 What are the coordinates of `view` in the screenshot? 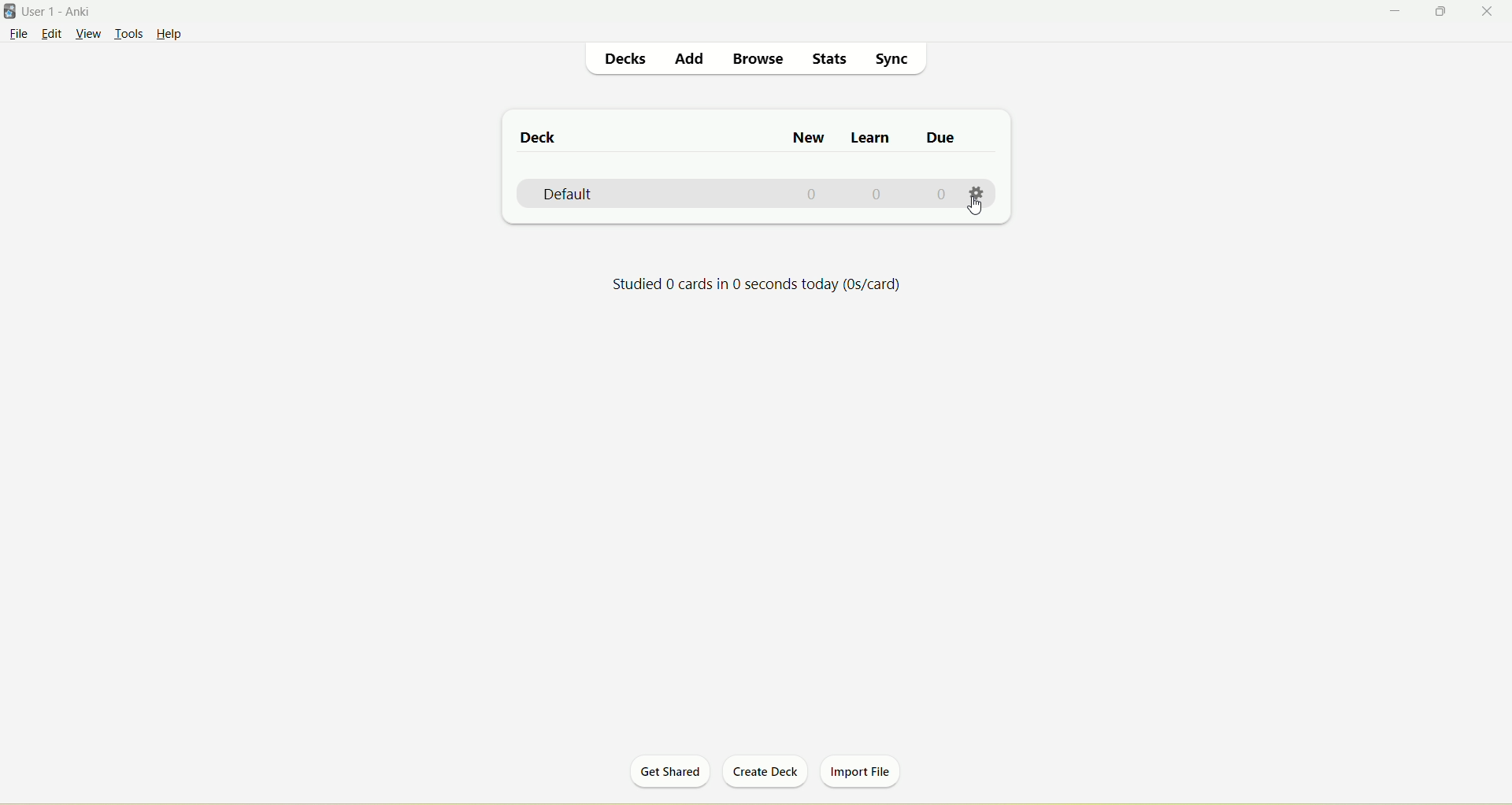 It's located at (88, 35).